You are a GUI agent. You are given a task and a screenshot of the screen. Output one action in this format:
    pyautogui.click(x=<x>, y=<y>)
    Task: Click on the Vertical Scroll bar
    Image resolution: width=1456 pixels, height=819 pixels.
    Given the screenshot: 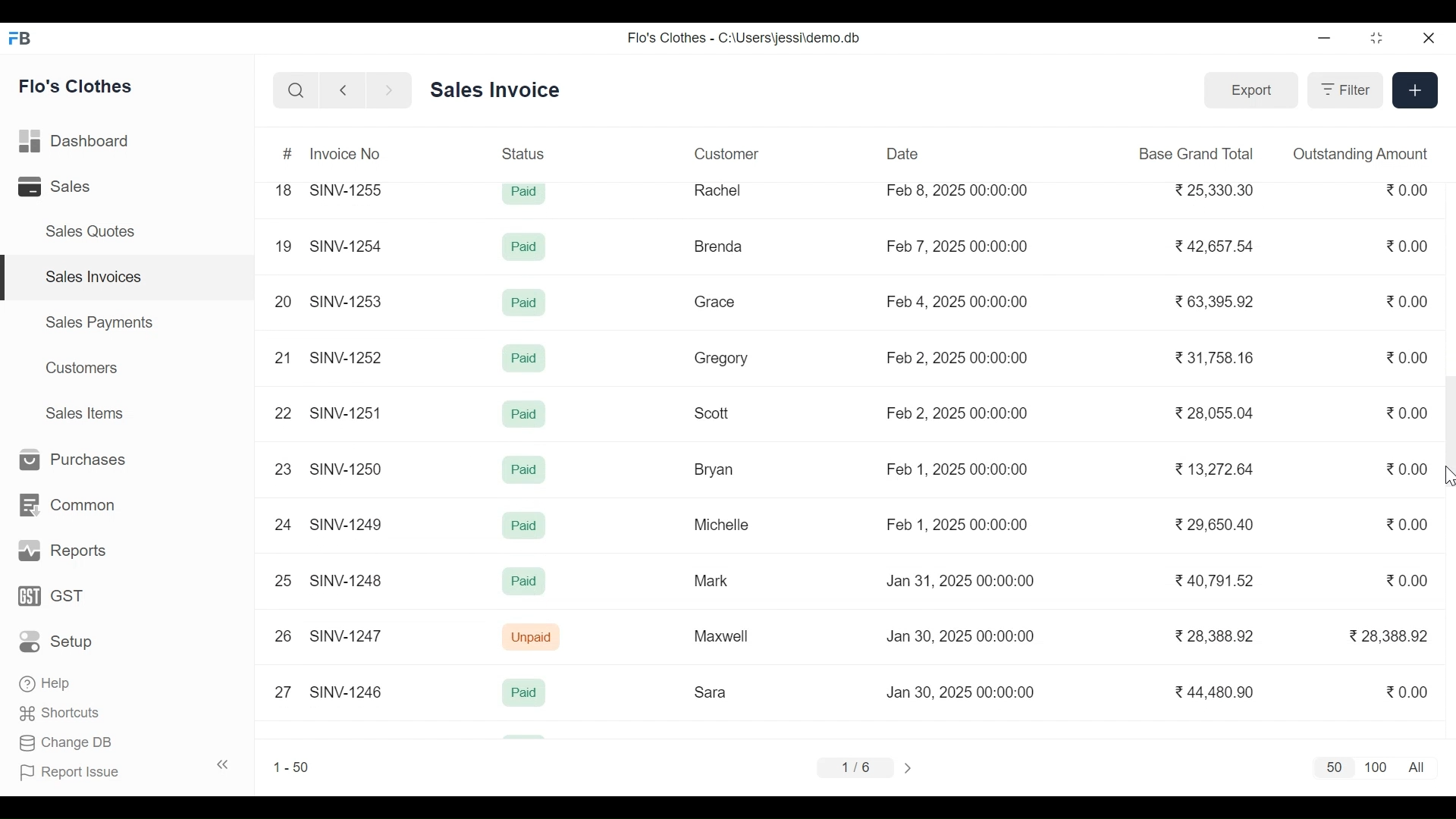 What is the action you would take?
    pyautogui.click(x=1447, y=428)
    